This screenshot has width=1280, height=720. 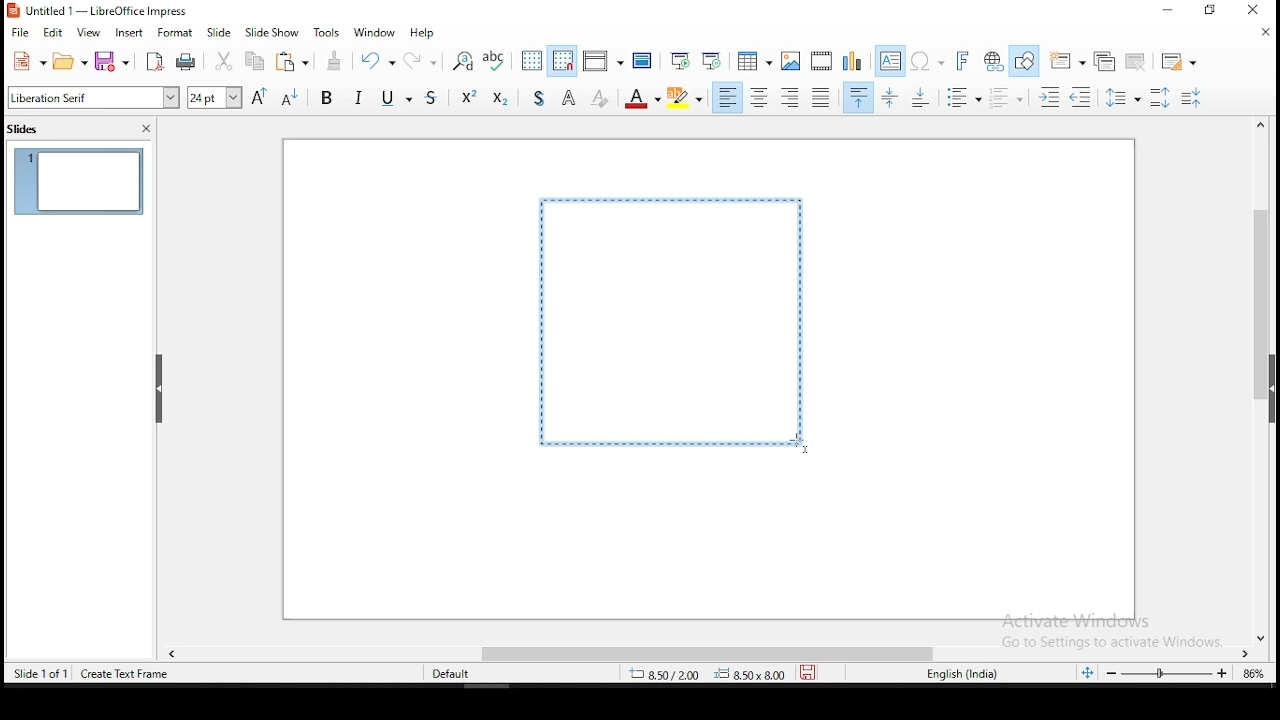 What do you see at coordinates (962, 61) in the screenshot?
I see `insert fontwork text` at bounding box center [962, 61].